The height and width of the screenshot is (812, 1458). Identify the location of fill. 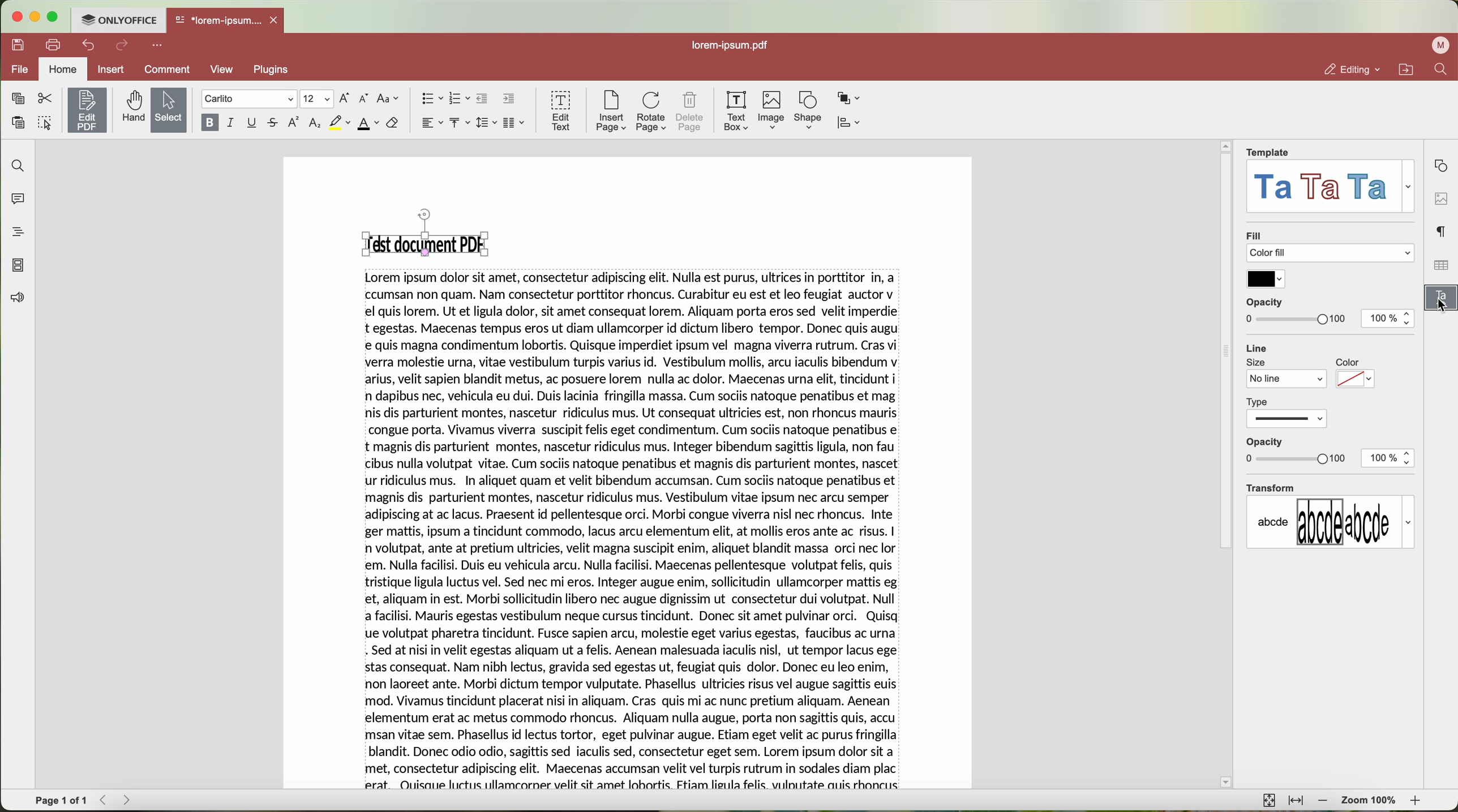
(1254, 234).